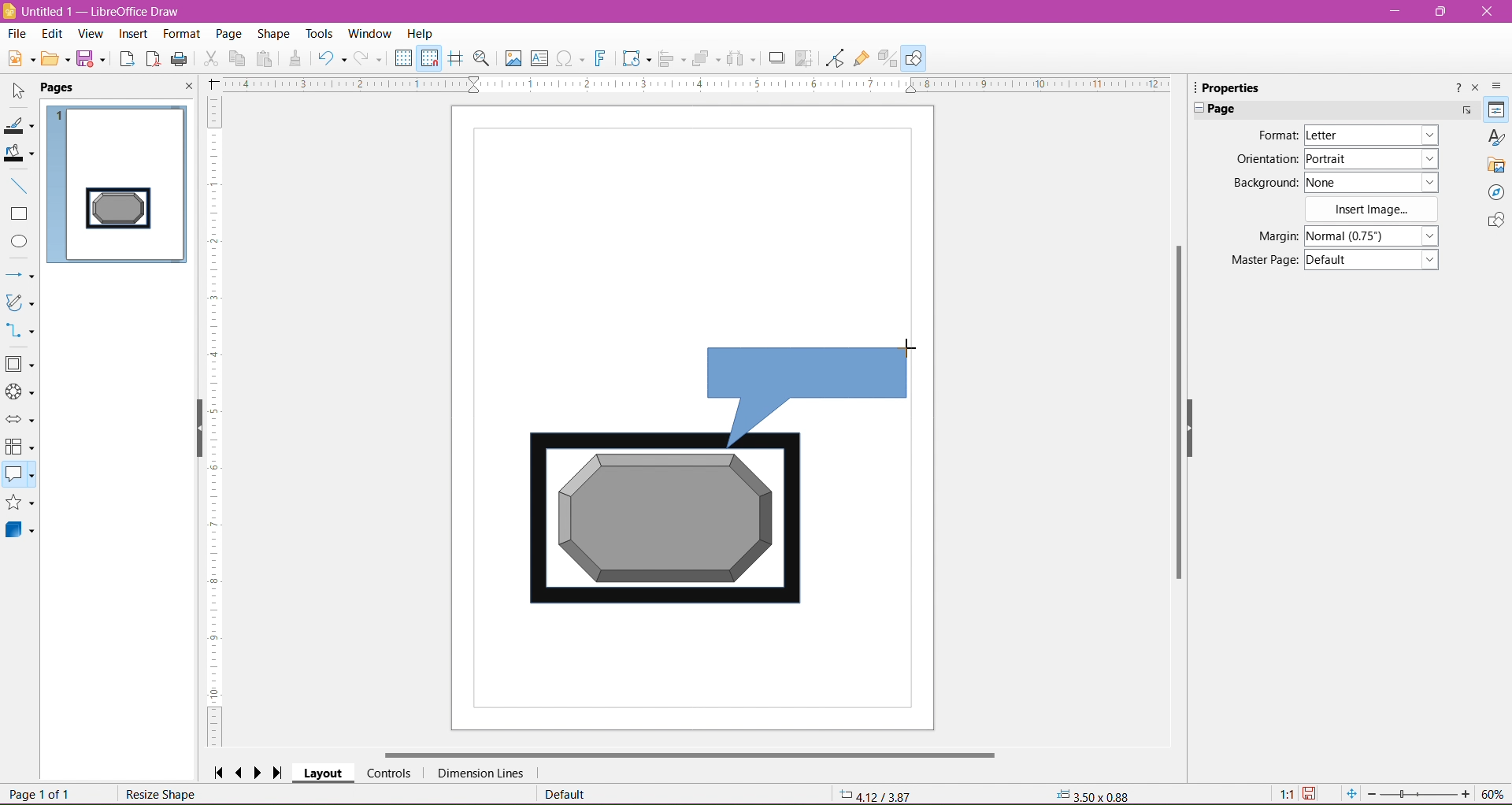 This screenshot has width=1512, height=805. What do you see at coordinates (571, 59) in the screenshot?
I see ` Insert Special Characters` at bounding box center [571, 59].